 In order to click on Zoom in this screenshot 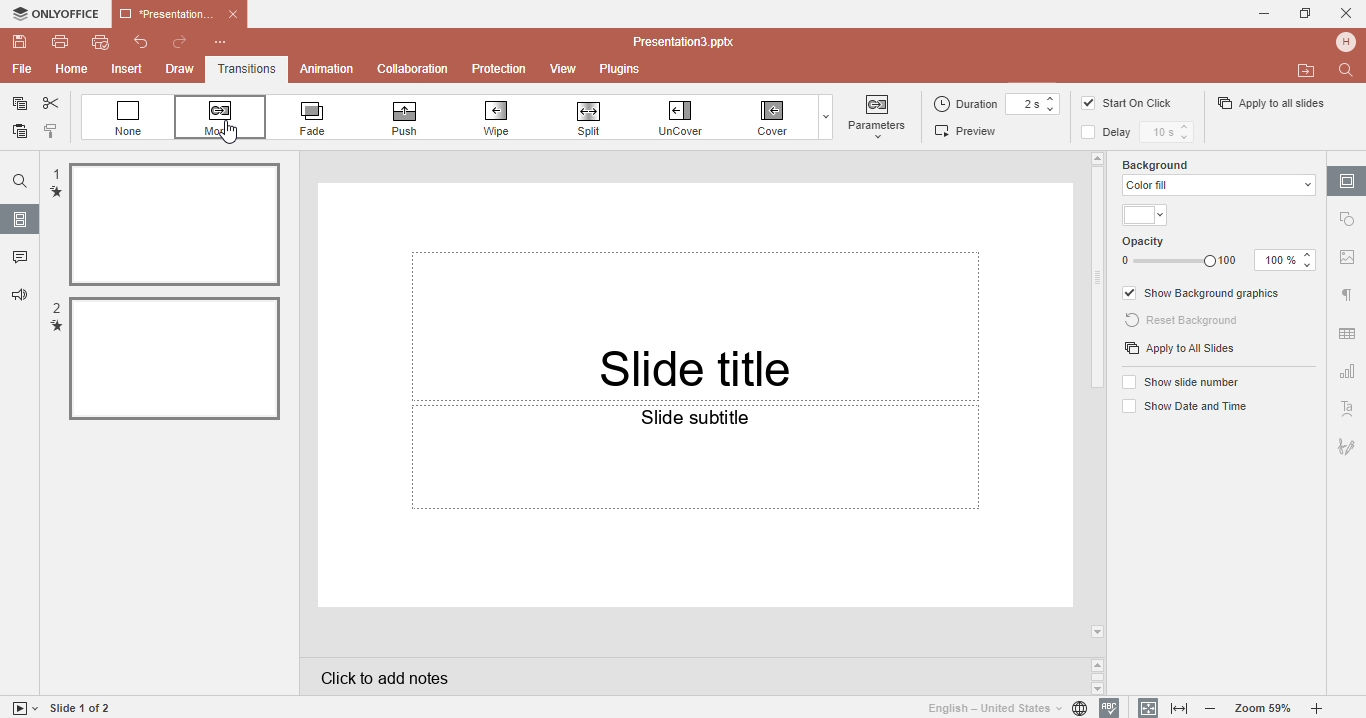, I will do `click(1264, 708)`.